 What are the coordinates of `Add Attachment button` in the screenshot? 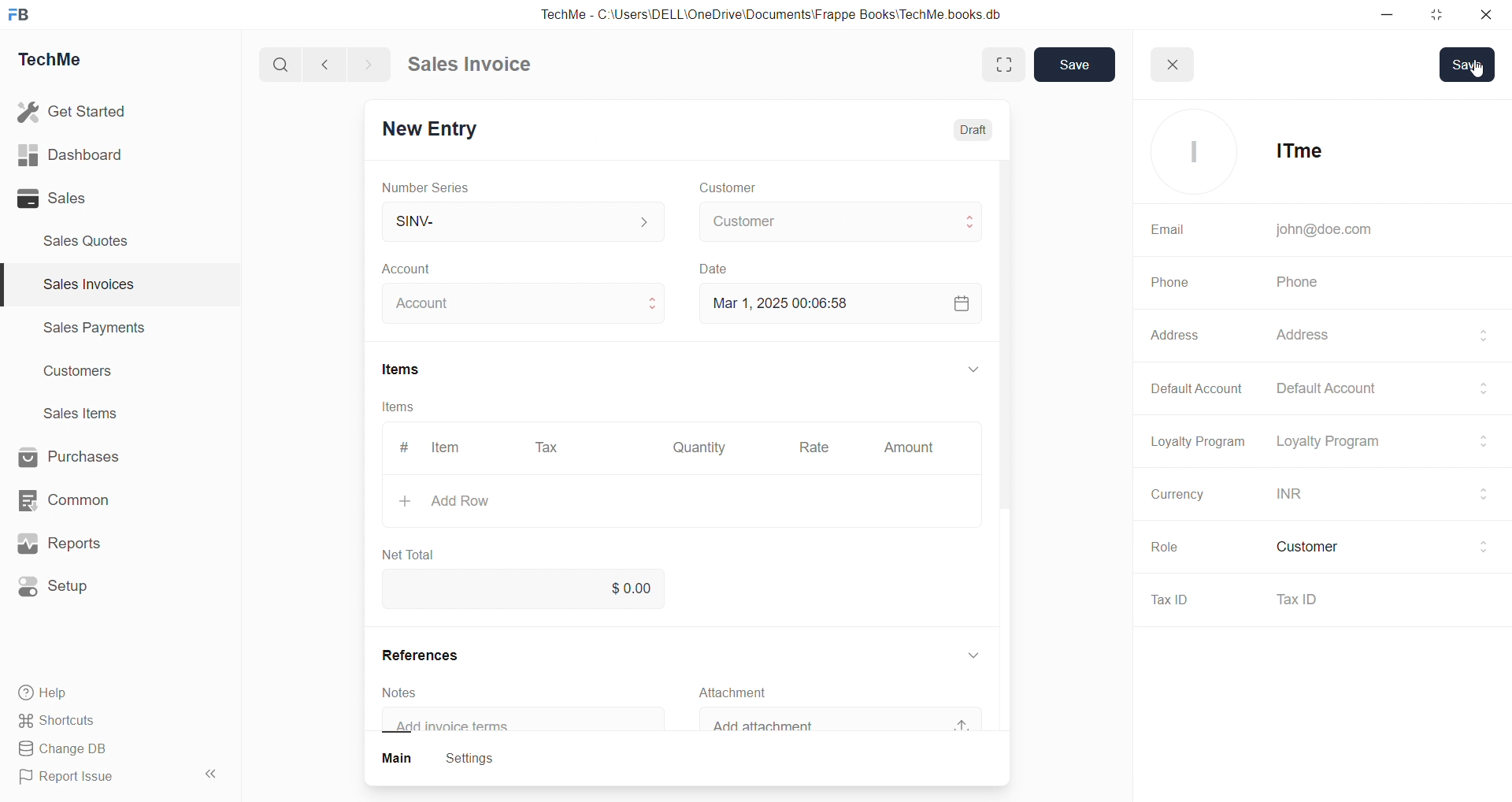 It's located at (954, 718).